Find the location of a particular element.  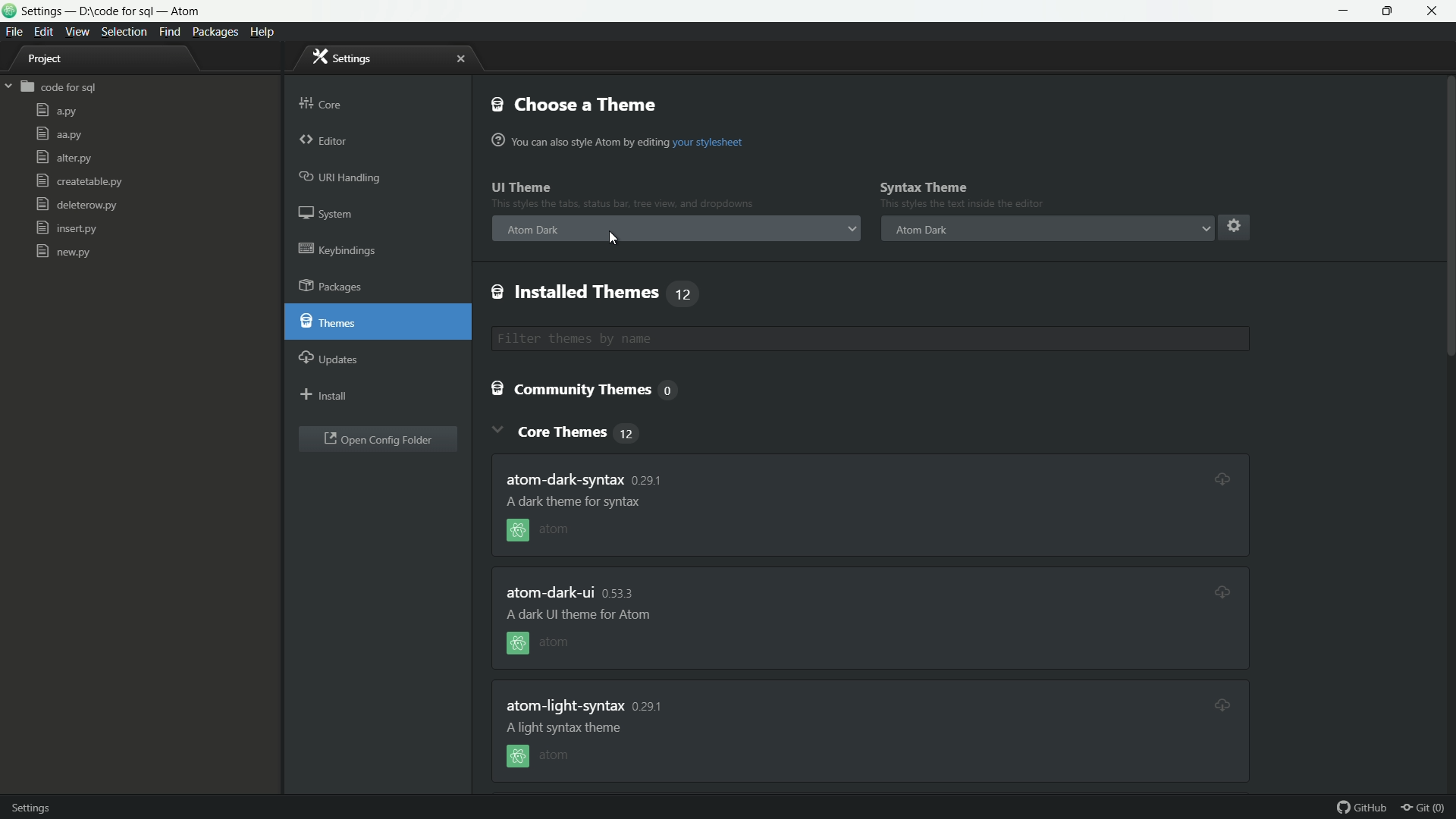

settings is located at coordinates (44, 805).